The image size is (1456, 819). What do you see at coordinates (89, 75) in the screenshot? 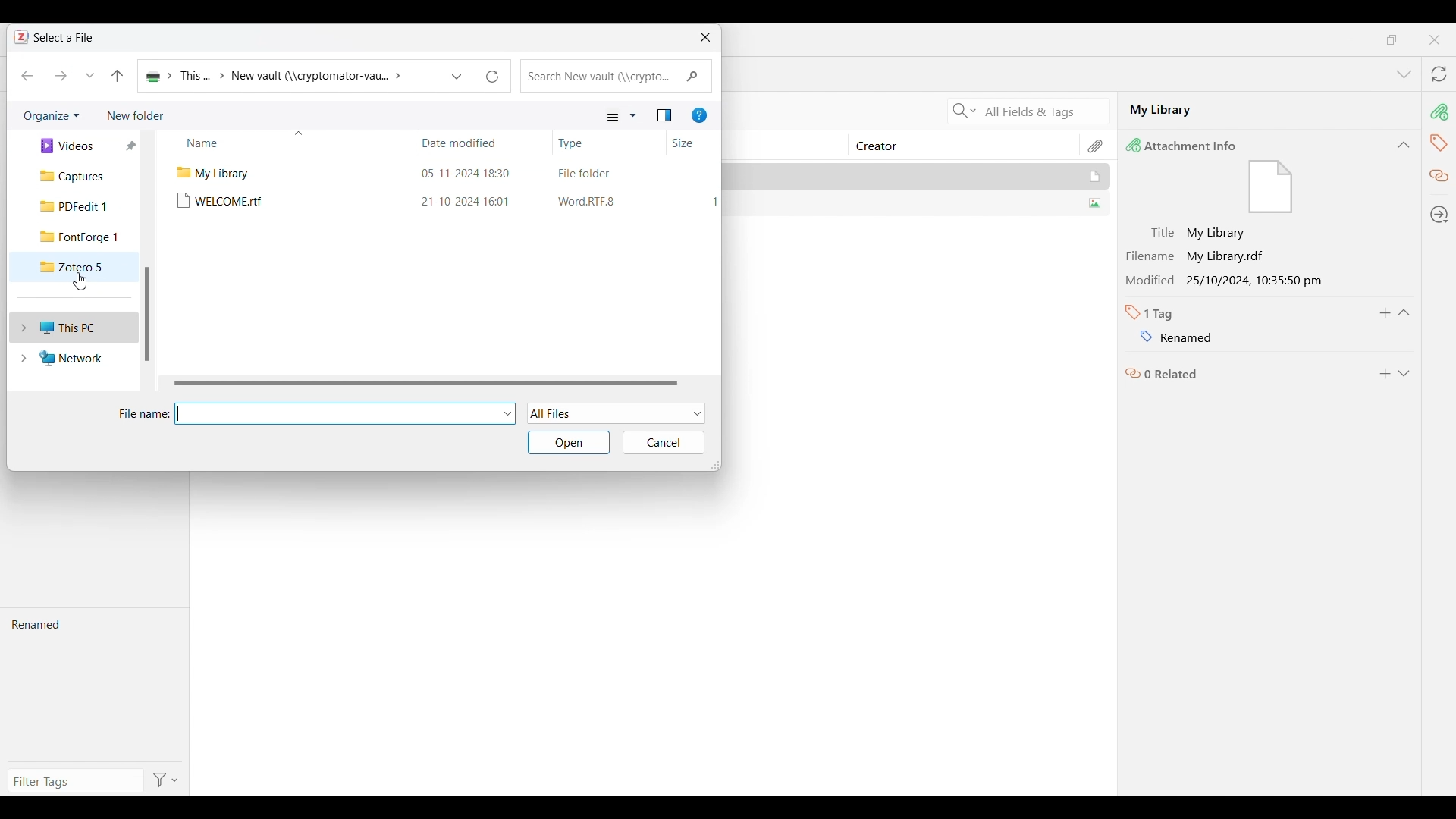
I see `Recent locations` at bounding box center [89, 75].